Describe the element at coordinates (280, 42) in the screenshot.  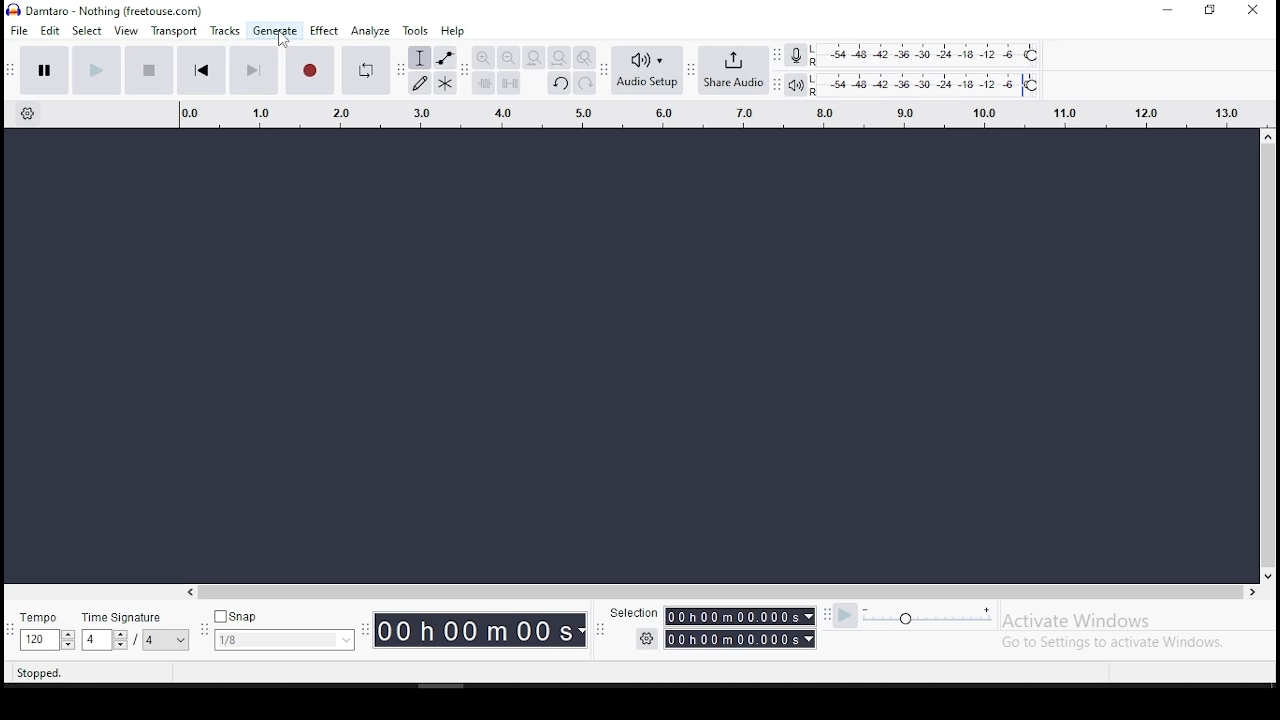
I see `cursor` at that location.